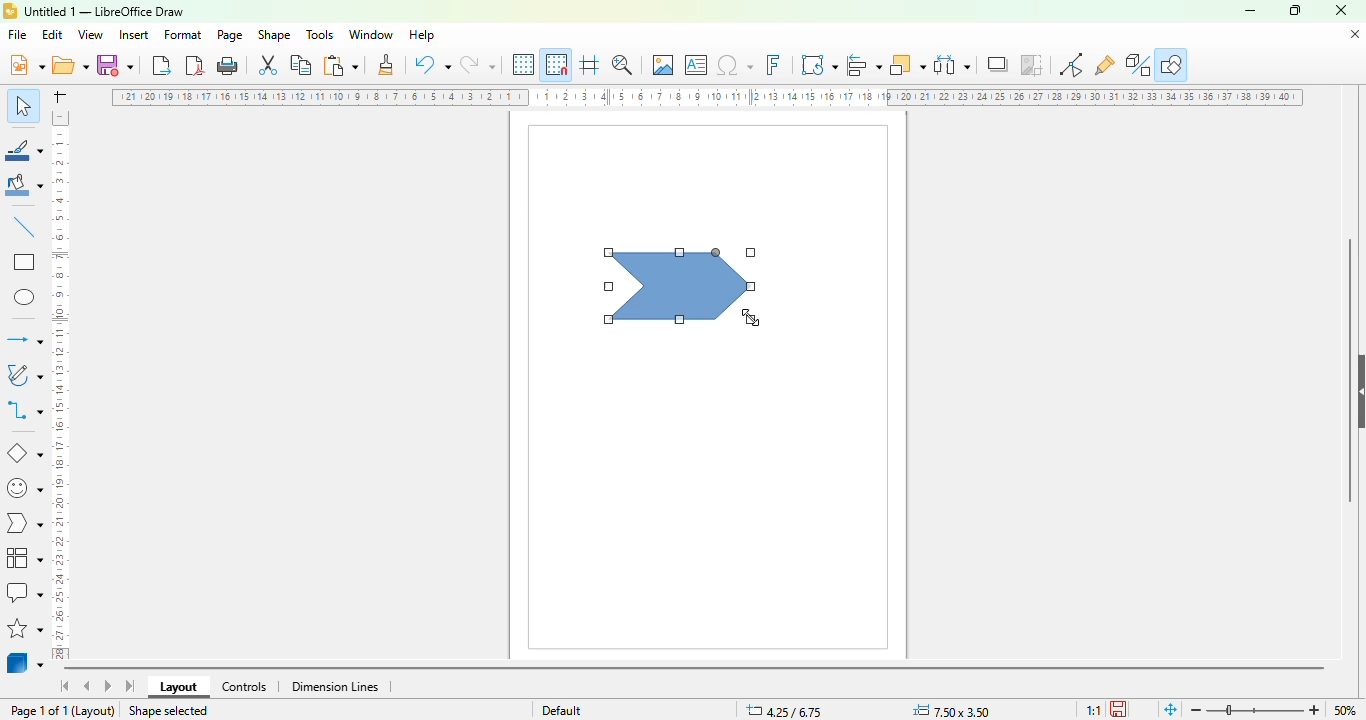 The image size is (1366, 720). Describe the element at coordinates (1118, 709) in the screenshot. I see `click to save the document` at that location.